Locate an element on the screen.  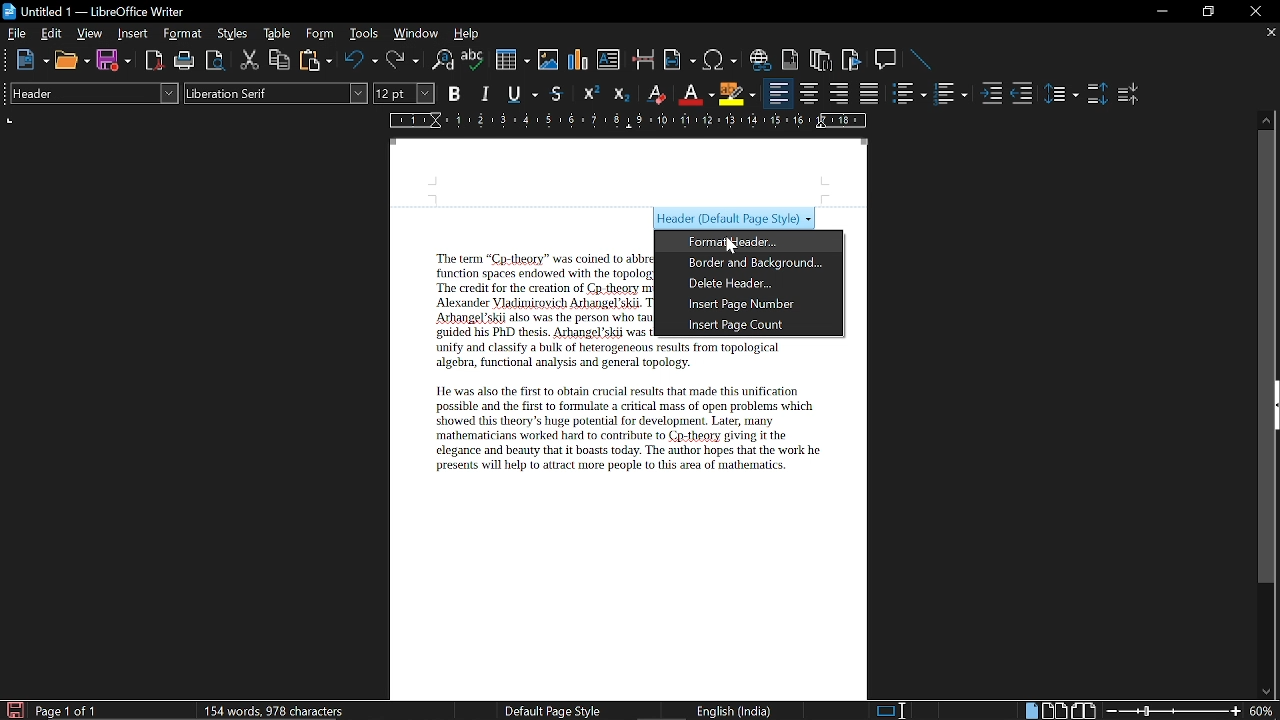
Spell check is located at coordinates (473, 60).